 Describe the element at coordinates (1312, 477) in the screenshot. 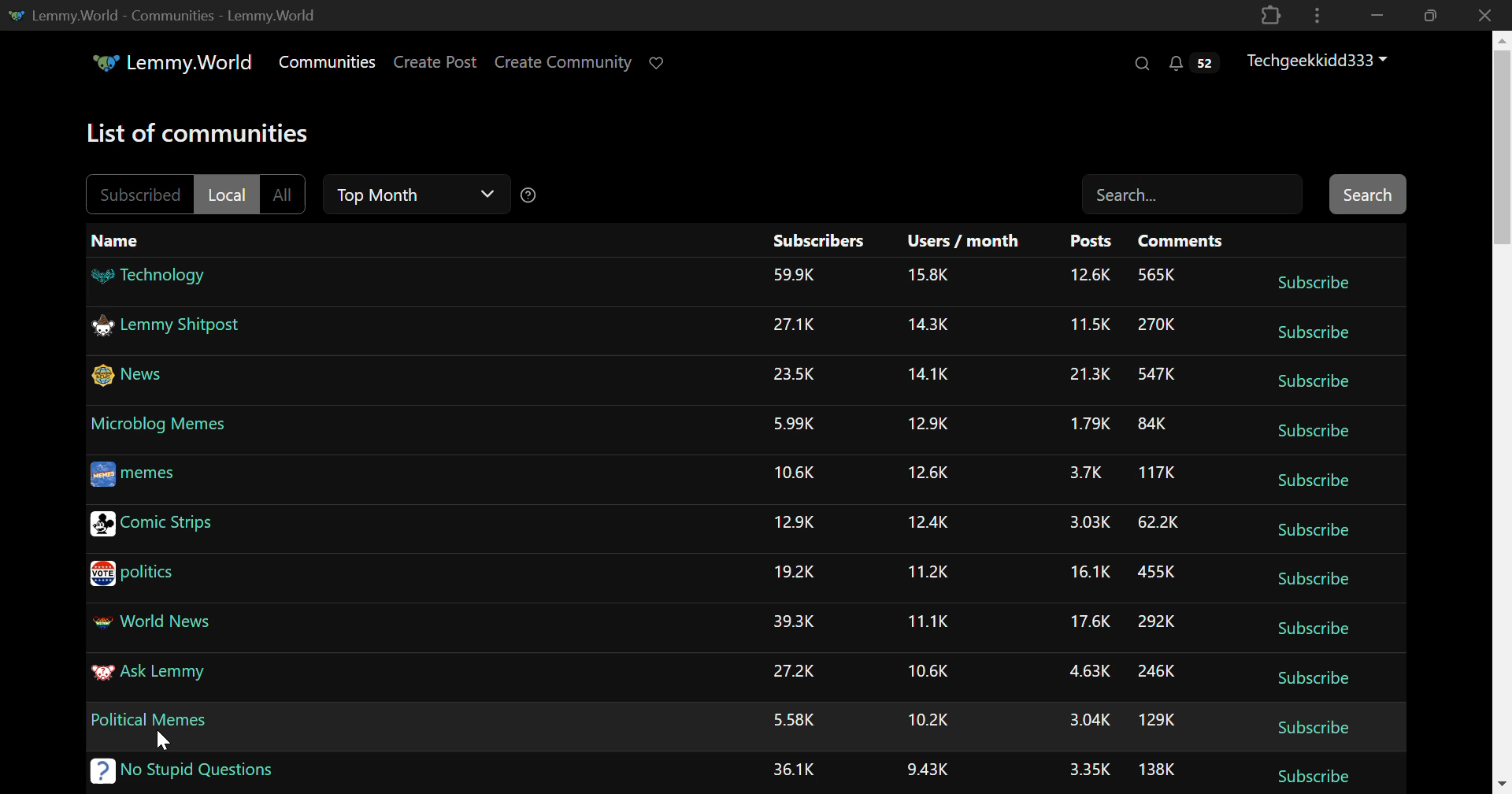

I see `Subscribe` at that location.